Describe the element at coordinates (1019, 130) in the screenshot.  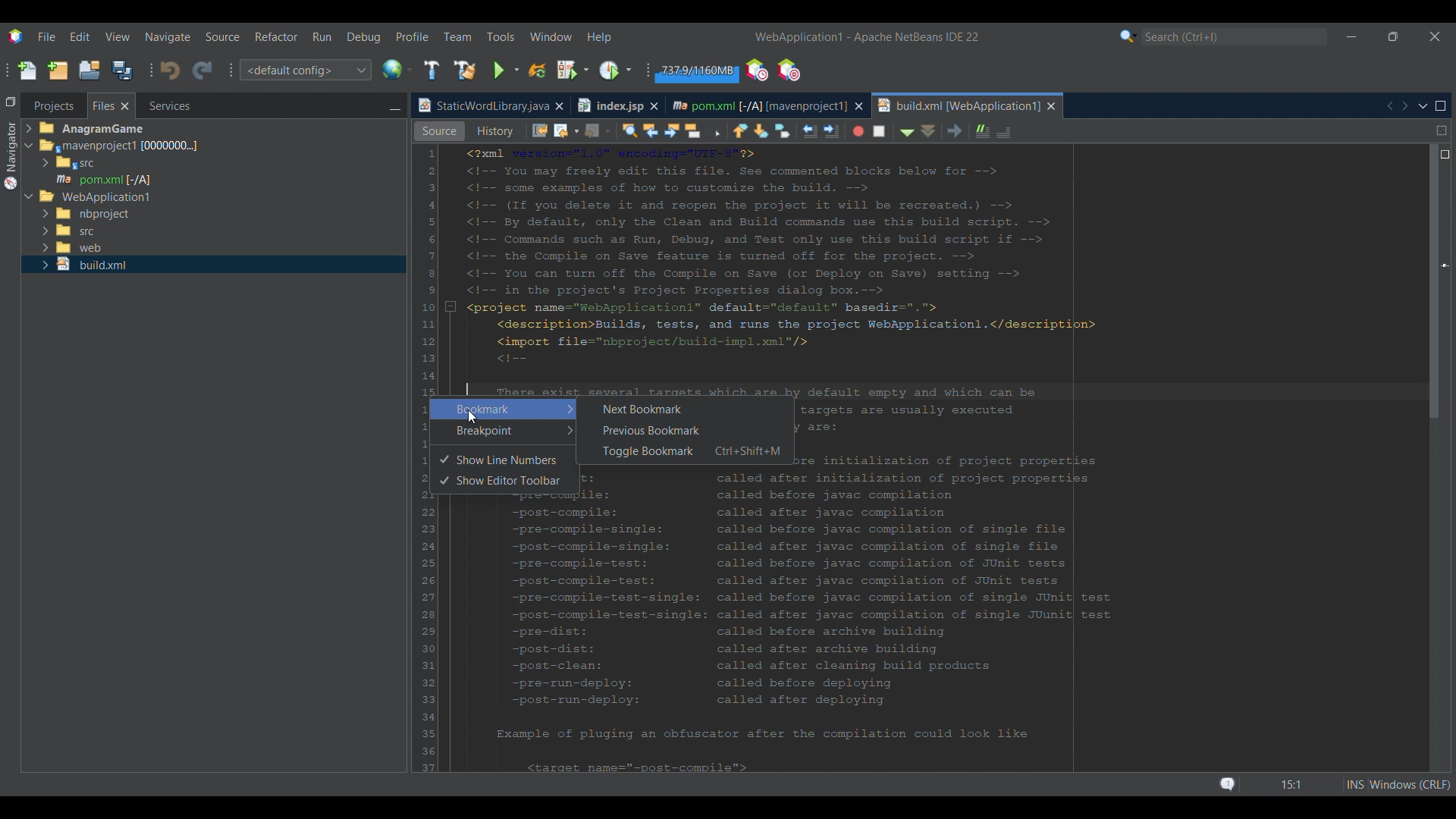
I see `Stop macro recording` at that location.